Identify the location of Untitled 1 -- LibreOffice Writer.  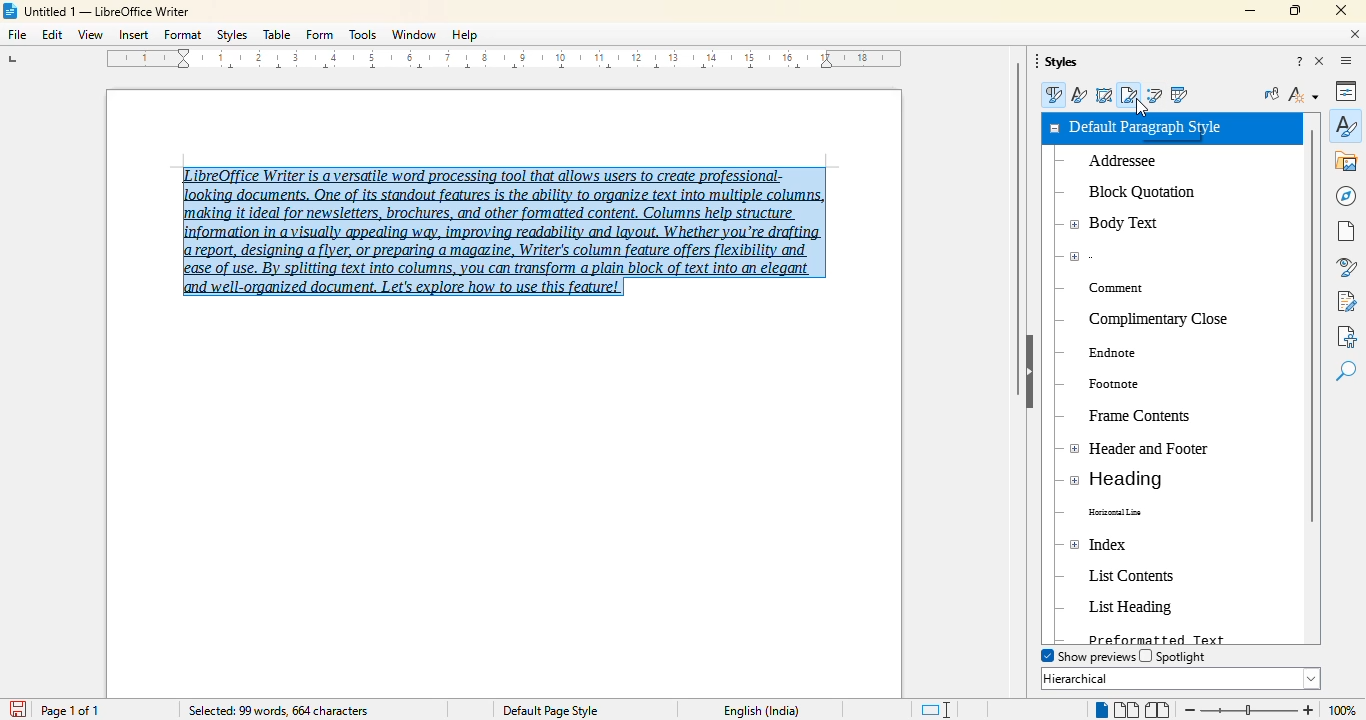
(110, 13).